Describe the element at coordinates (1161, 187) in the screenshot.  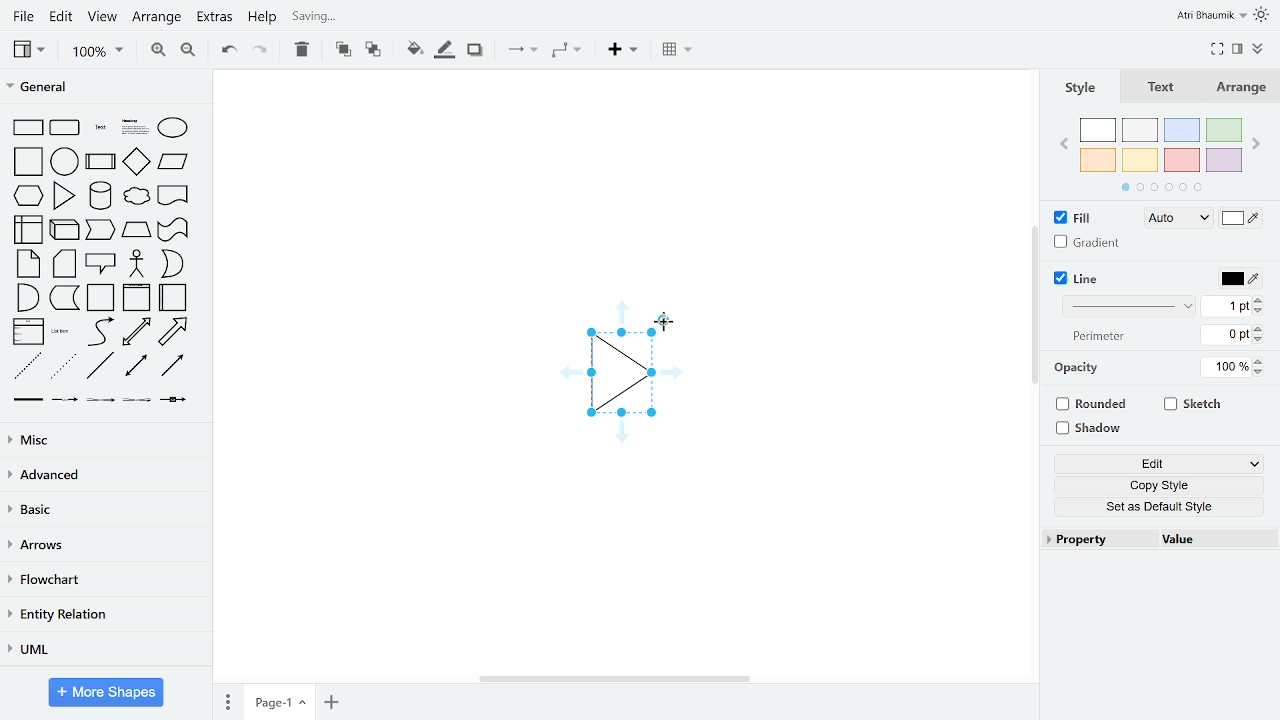
I see `pages in color` at that location.